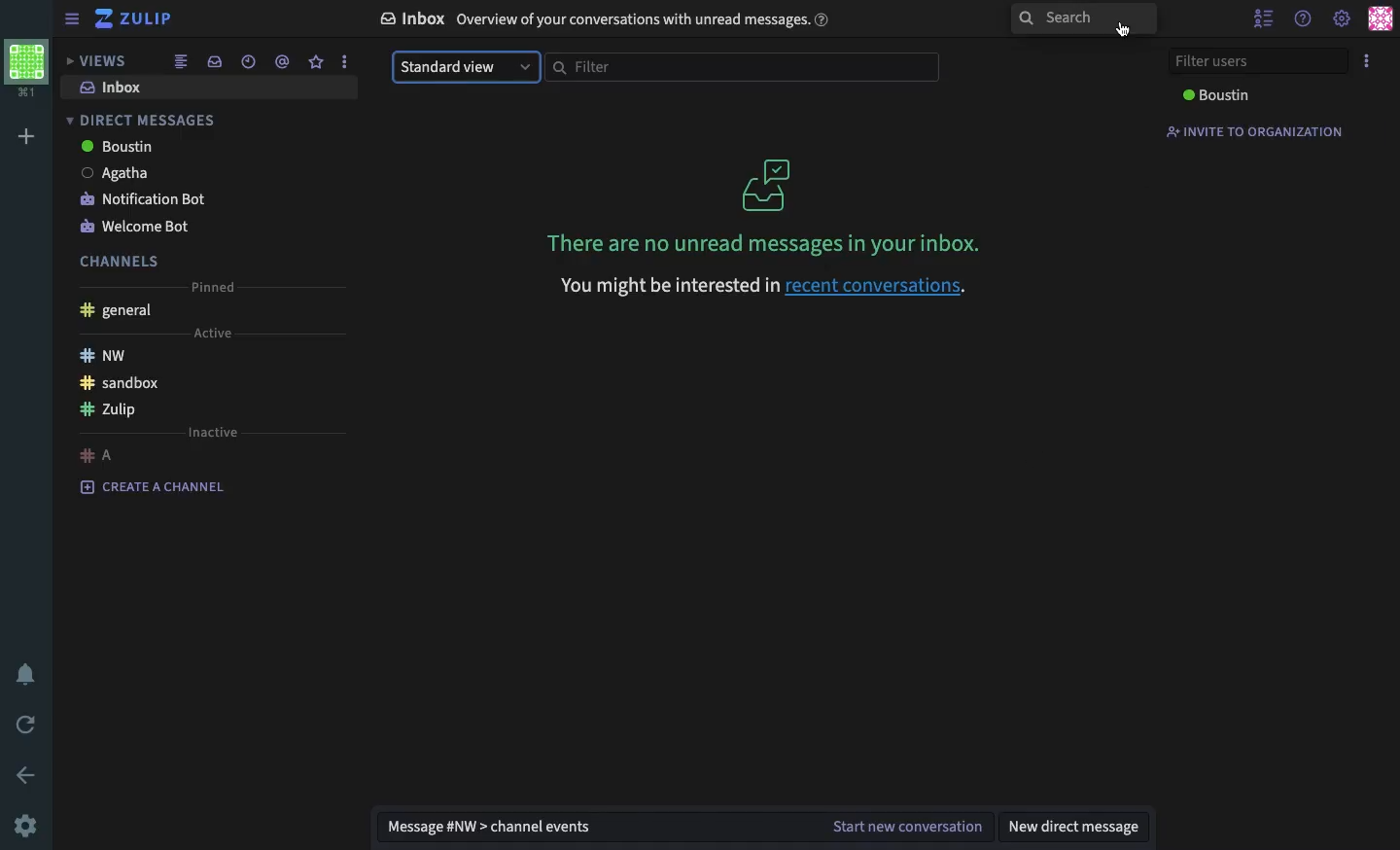 This screenshot has width=1400, height=850. What do you see at coordinates (466, 69) in the screenshot?
I see `standard view` at bounding box center [466, 69].